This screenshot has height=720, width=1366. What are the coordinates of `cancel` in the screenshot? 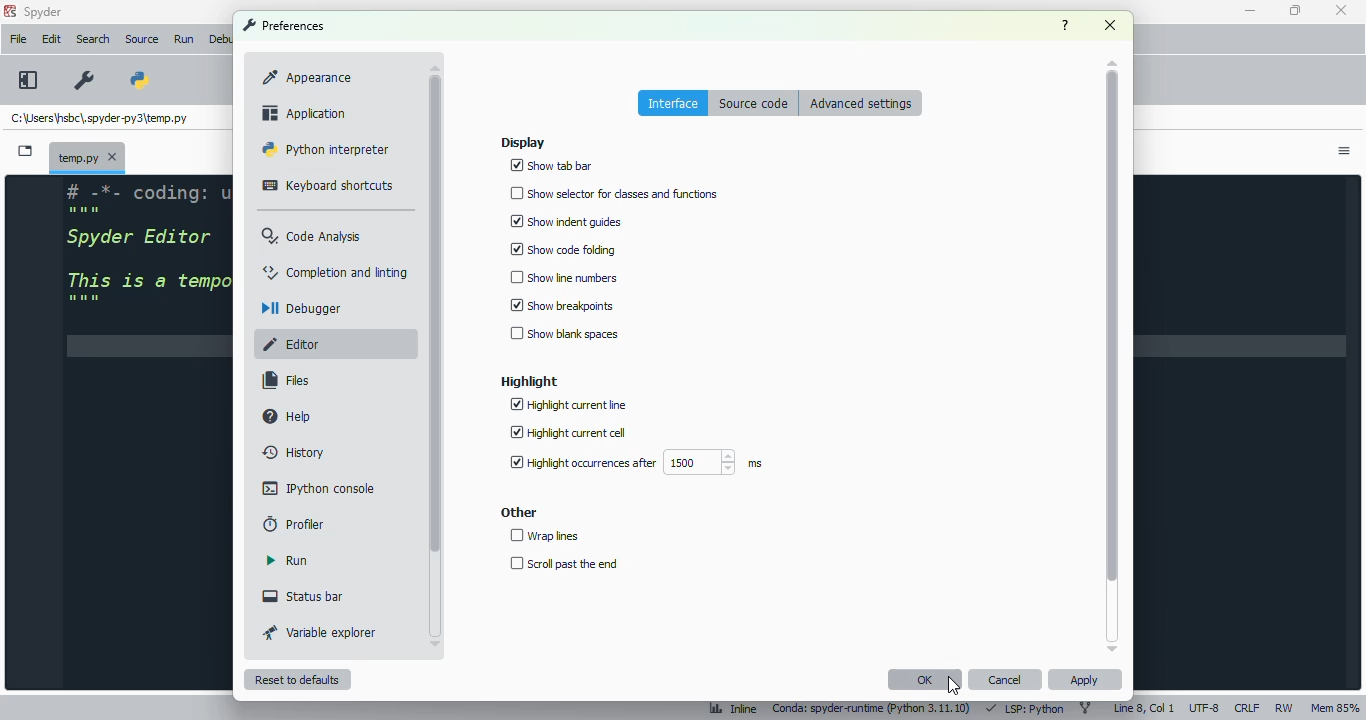 It's located at (1006, 680).